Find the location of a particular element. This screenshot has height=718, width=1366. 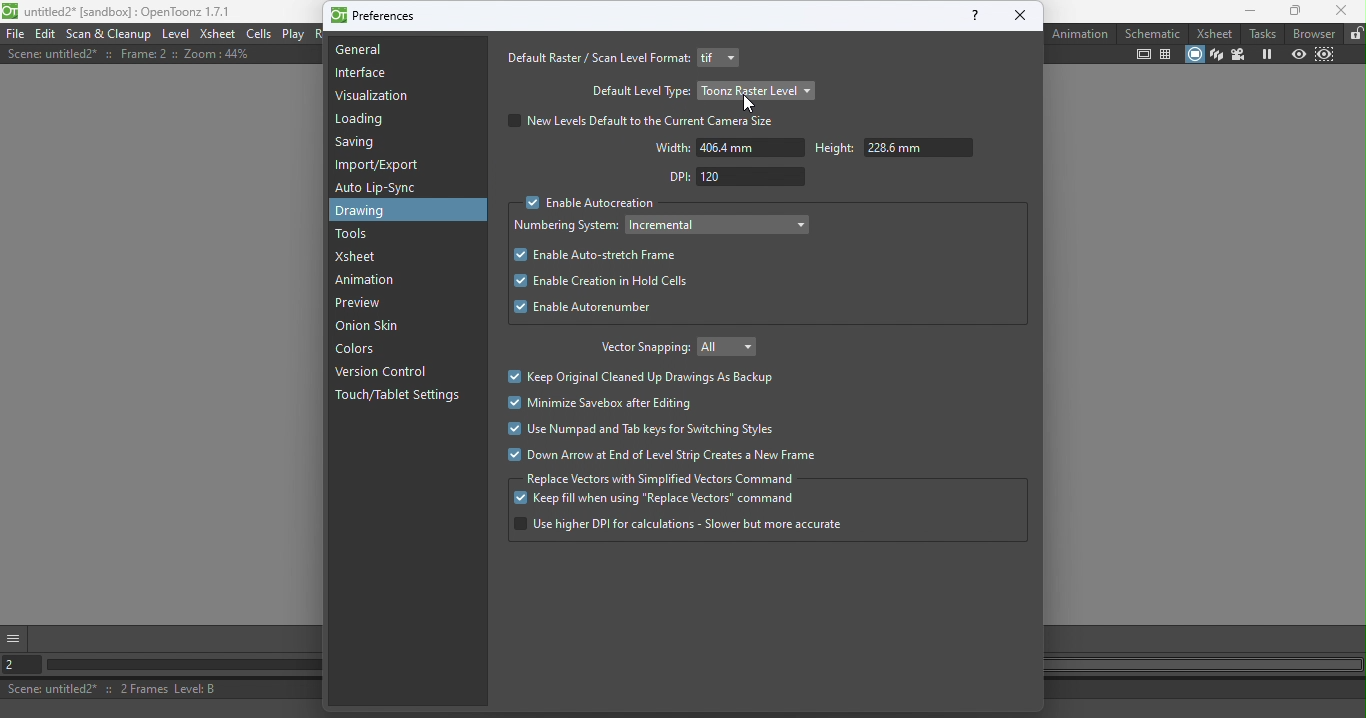

Camera stand view is located at coordinates (1193, 56).